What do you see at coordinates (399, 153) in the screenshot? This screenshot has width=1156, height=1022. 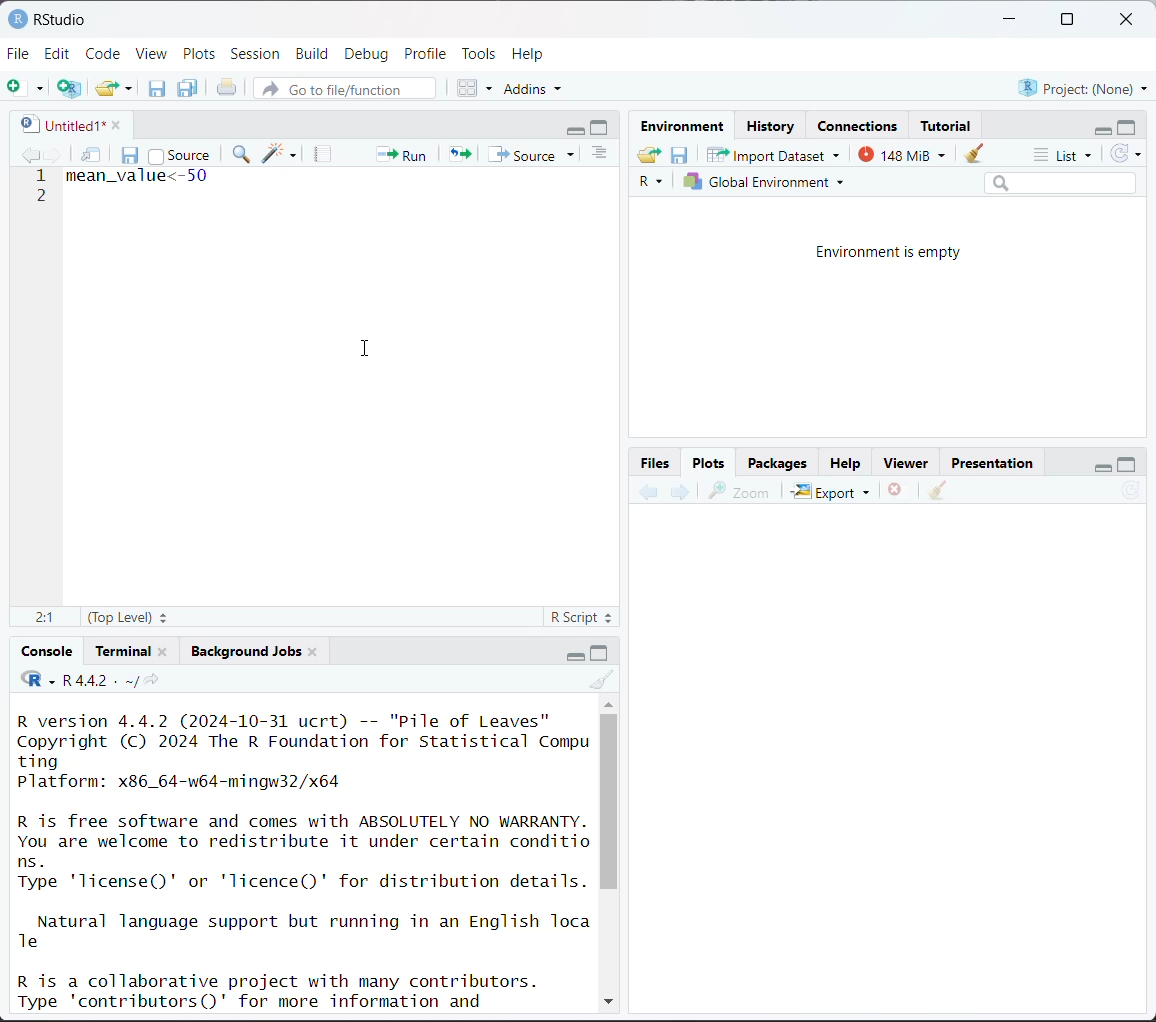 I see `run` at bounding box center [399, 153].